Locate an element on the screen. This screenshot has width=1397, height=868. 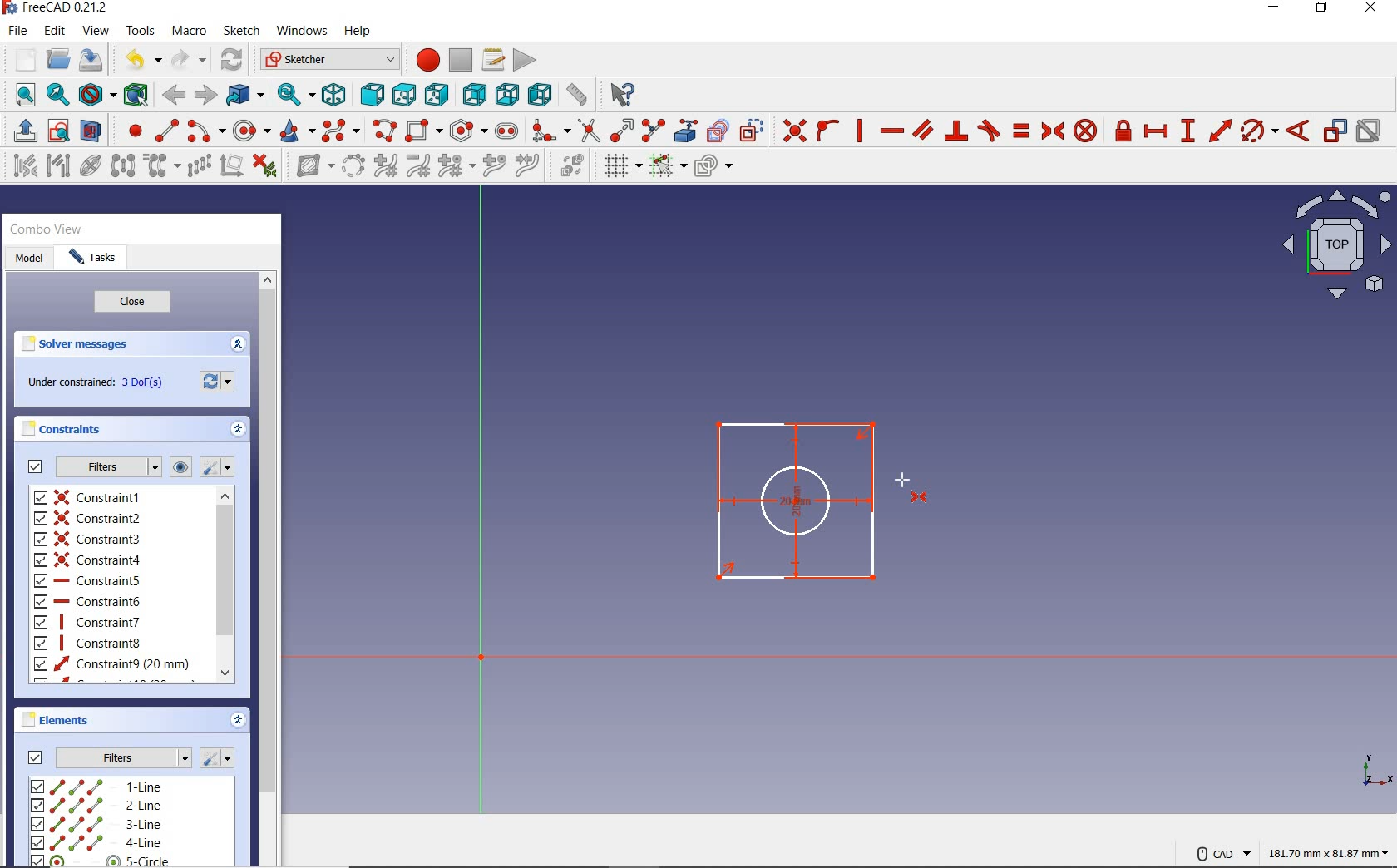
Filters is located at coordinates (125, 757).